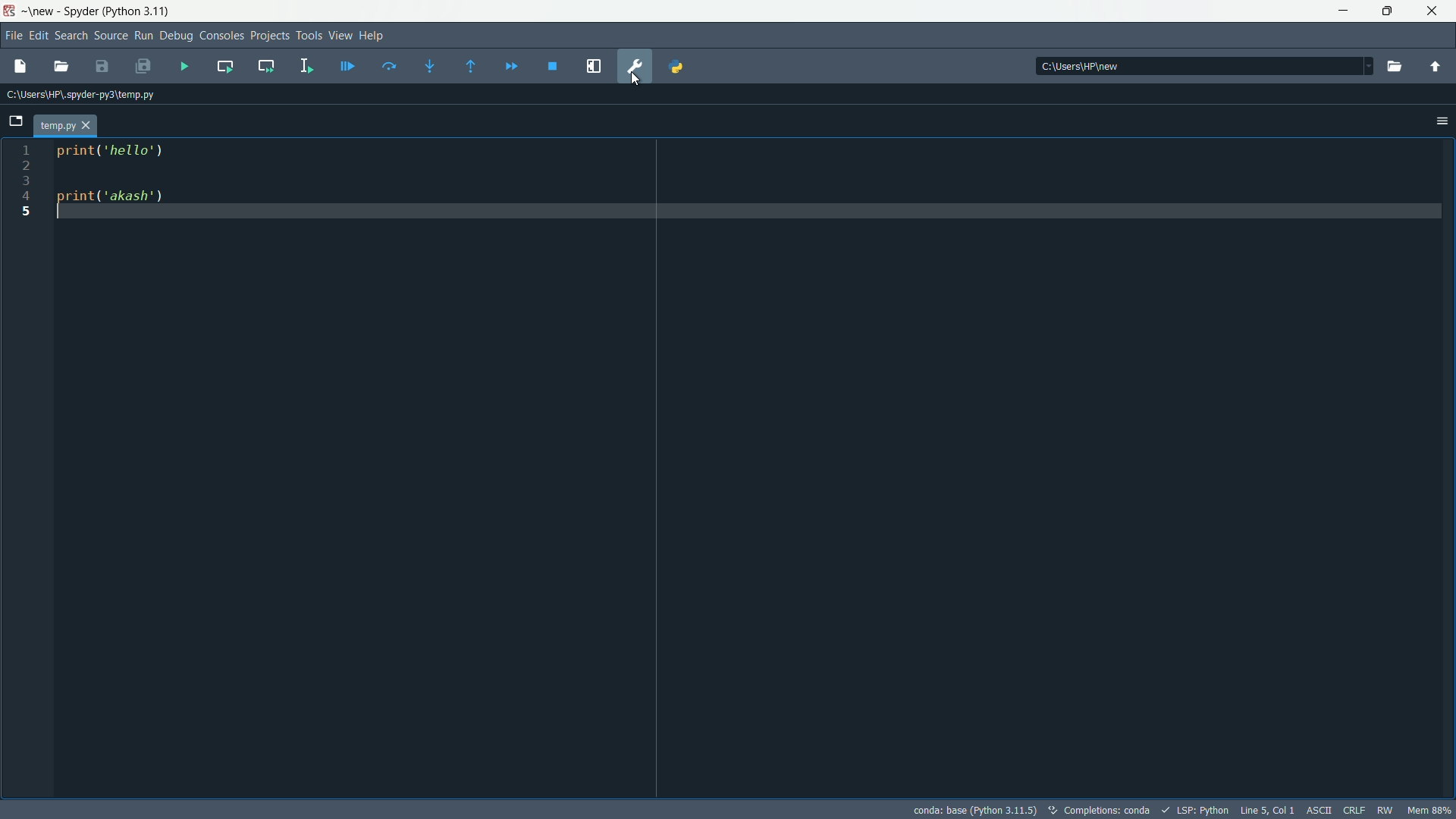 This screenshot has height=819, width=1456. Describe the element at coordinates (99, 12) in the screenshot. I see `~\new -  Spyder (Python 3.11)` at that location.